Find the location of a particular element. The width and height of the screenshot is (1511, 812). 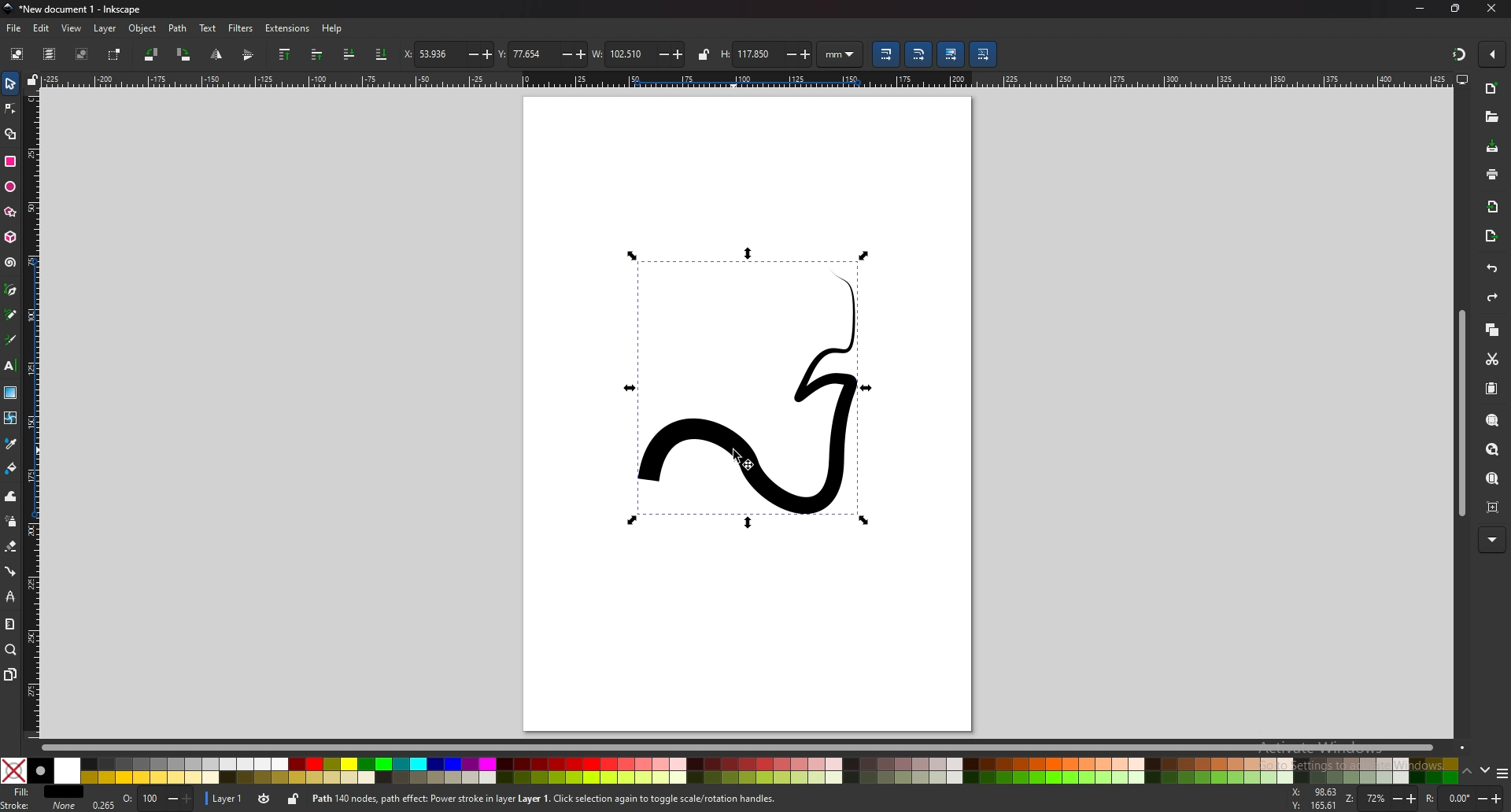

y coordinates is located at coordinates (540, 54).